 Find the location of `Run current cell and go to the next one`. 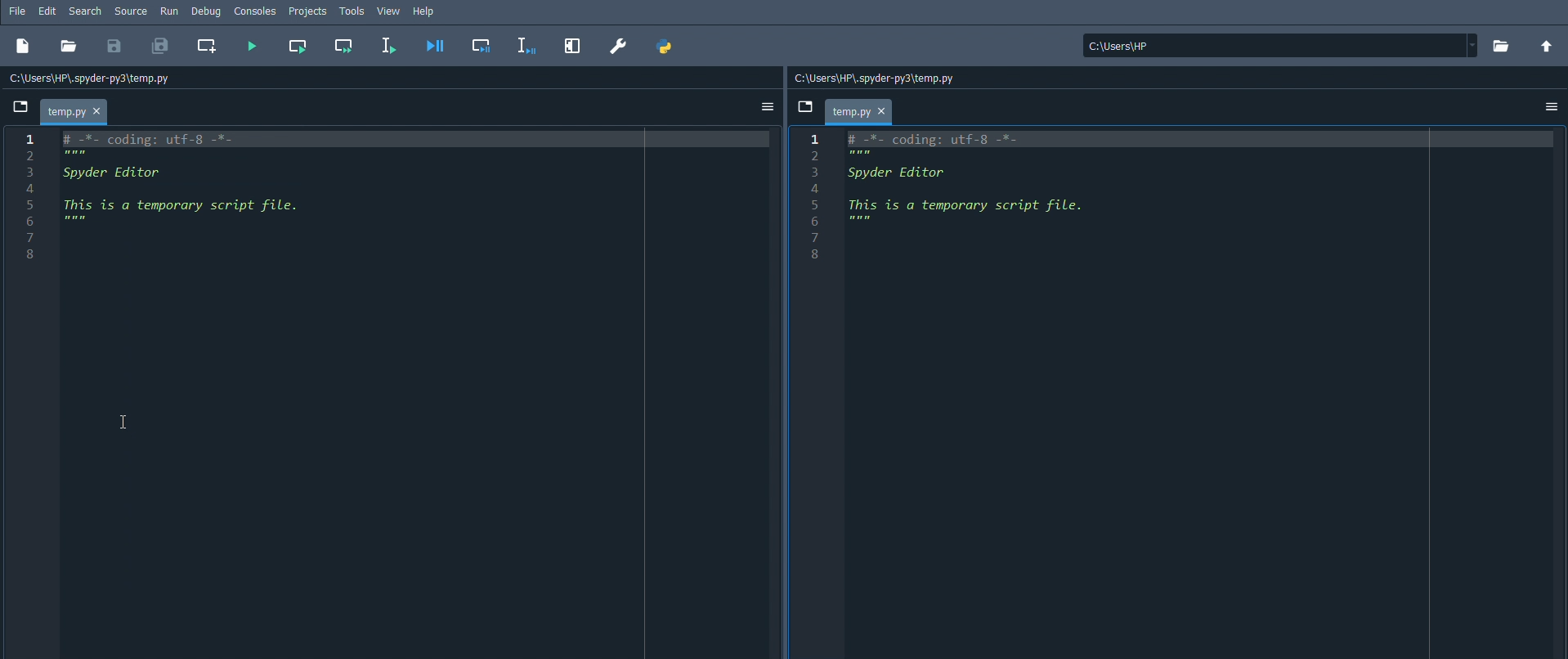

Run current cell and go to the next one is located at coordinates (343, 46).